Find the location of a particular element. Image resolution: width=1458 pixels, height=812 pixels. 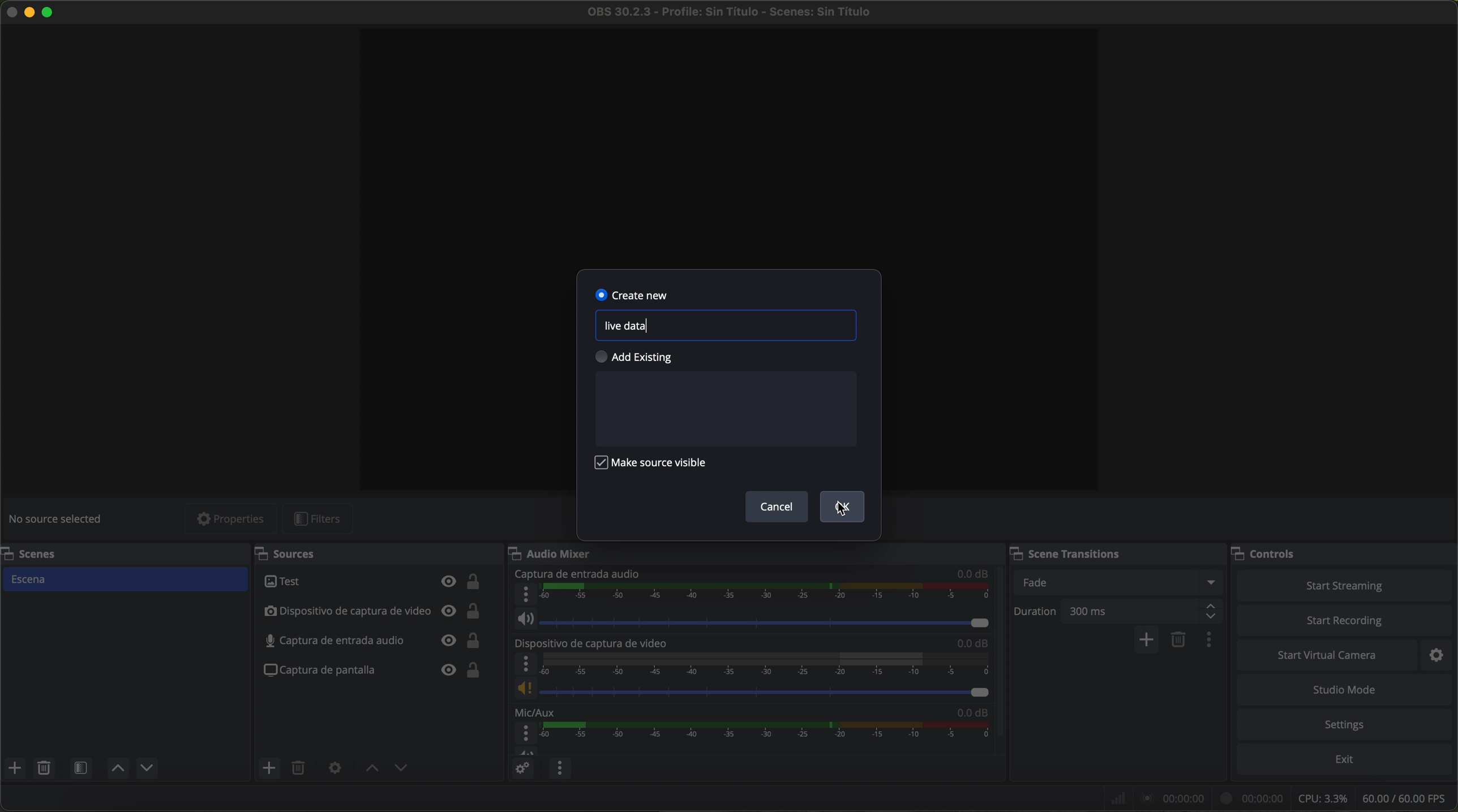

mouse is located at coordinates (838, 509).